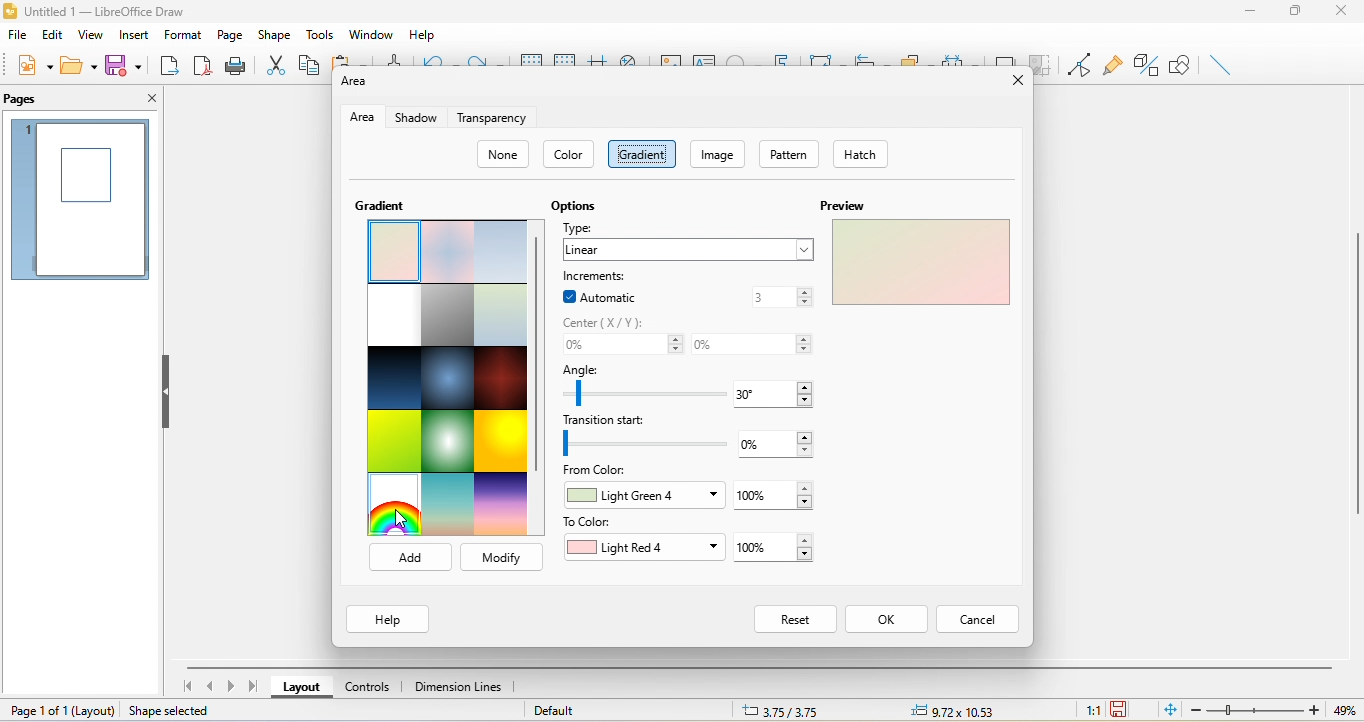 The width and height of the screenshot is (1364, 722). Describe the element at coordinates (1182, 62) in the screenshot. I see `show draw function` at that location.